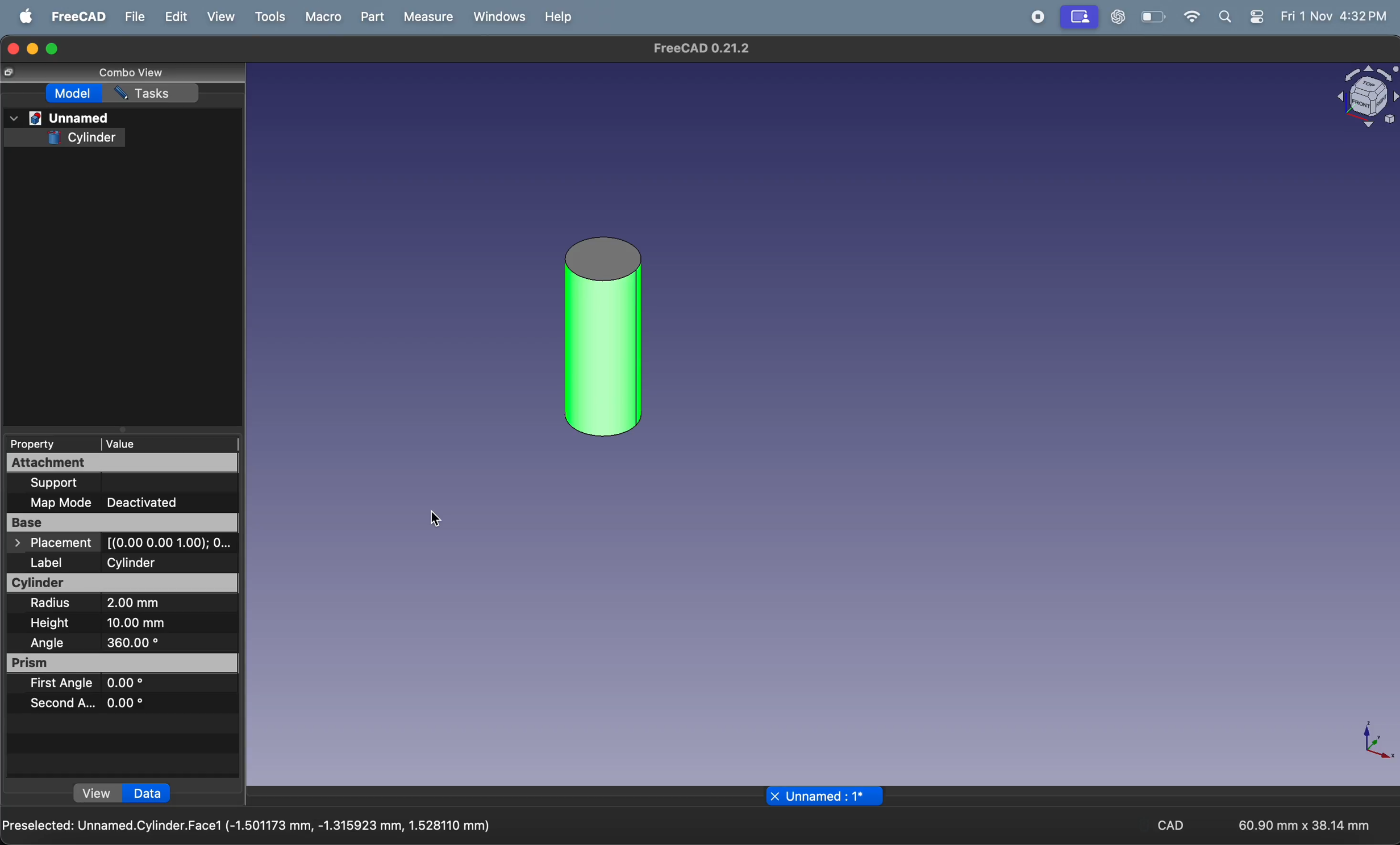 This screenshot has width=1400, height=845. Describe the element at coordinates (323, 18) in the screenshot. I see `macro` at that location.